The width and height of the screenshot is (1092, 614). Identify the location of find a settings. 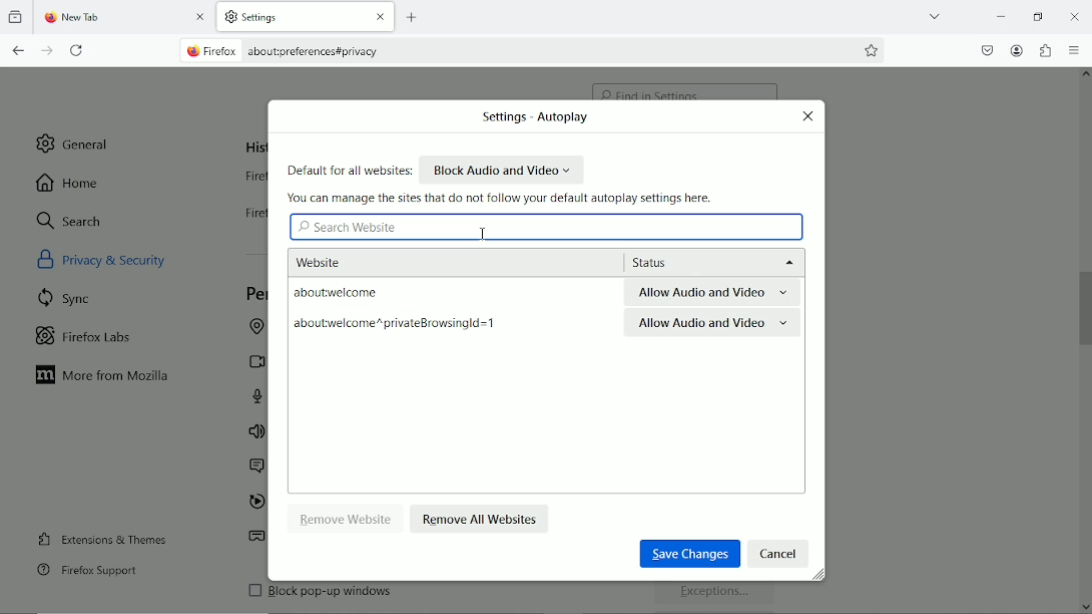
(686, 86).